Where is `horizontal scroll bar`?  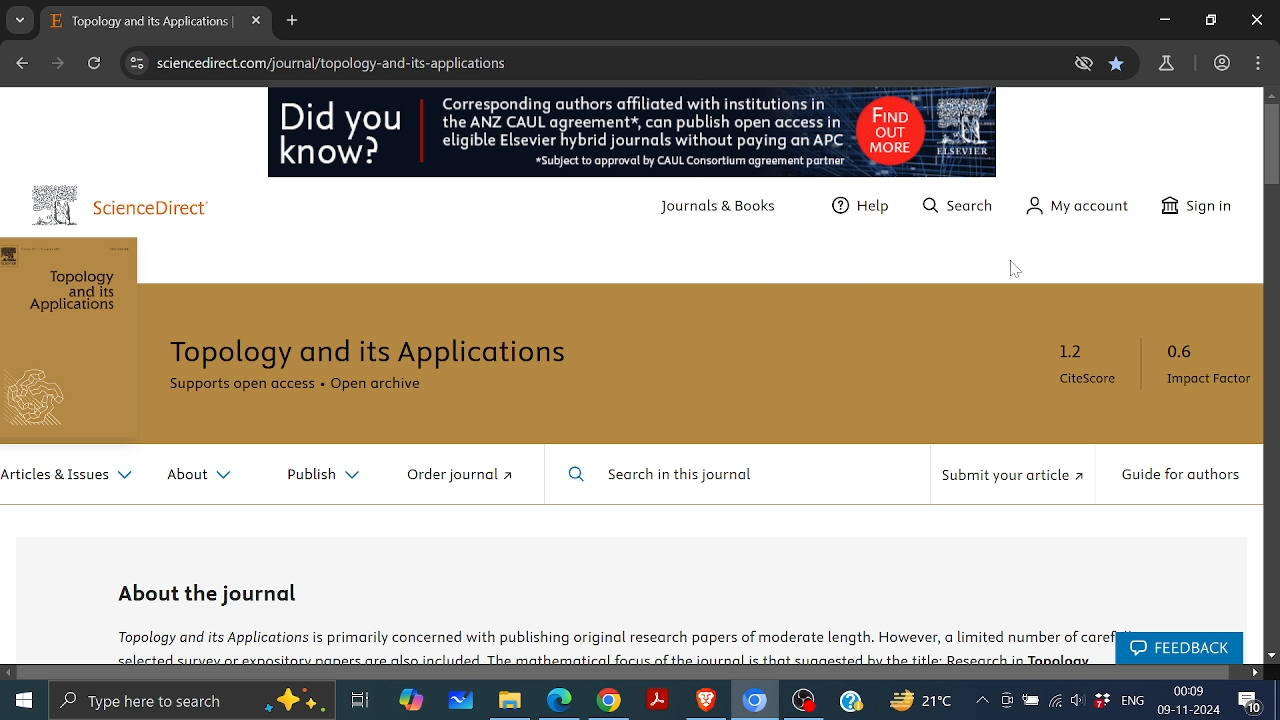 horizontal scroll bar is located at coordinates (626, 671).